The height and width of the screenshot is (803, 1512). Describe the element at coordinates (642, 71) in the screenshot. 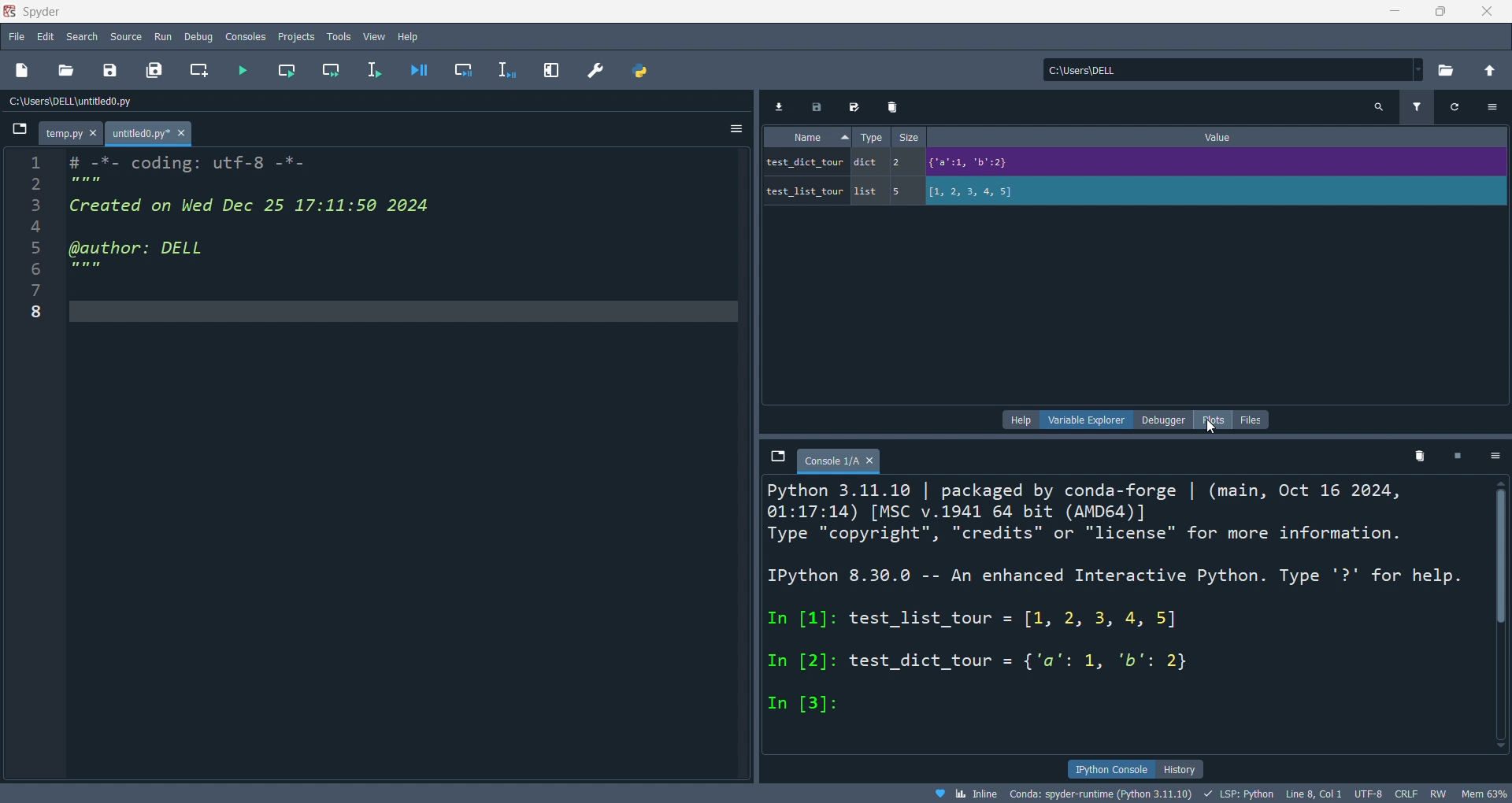

I see `python path manager` at that location.